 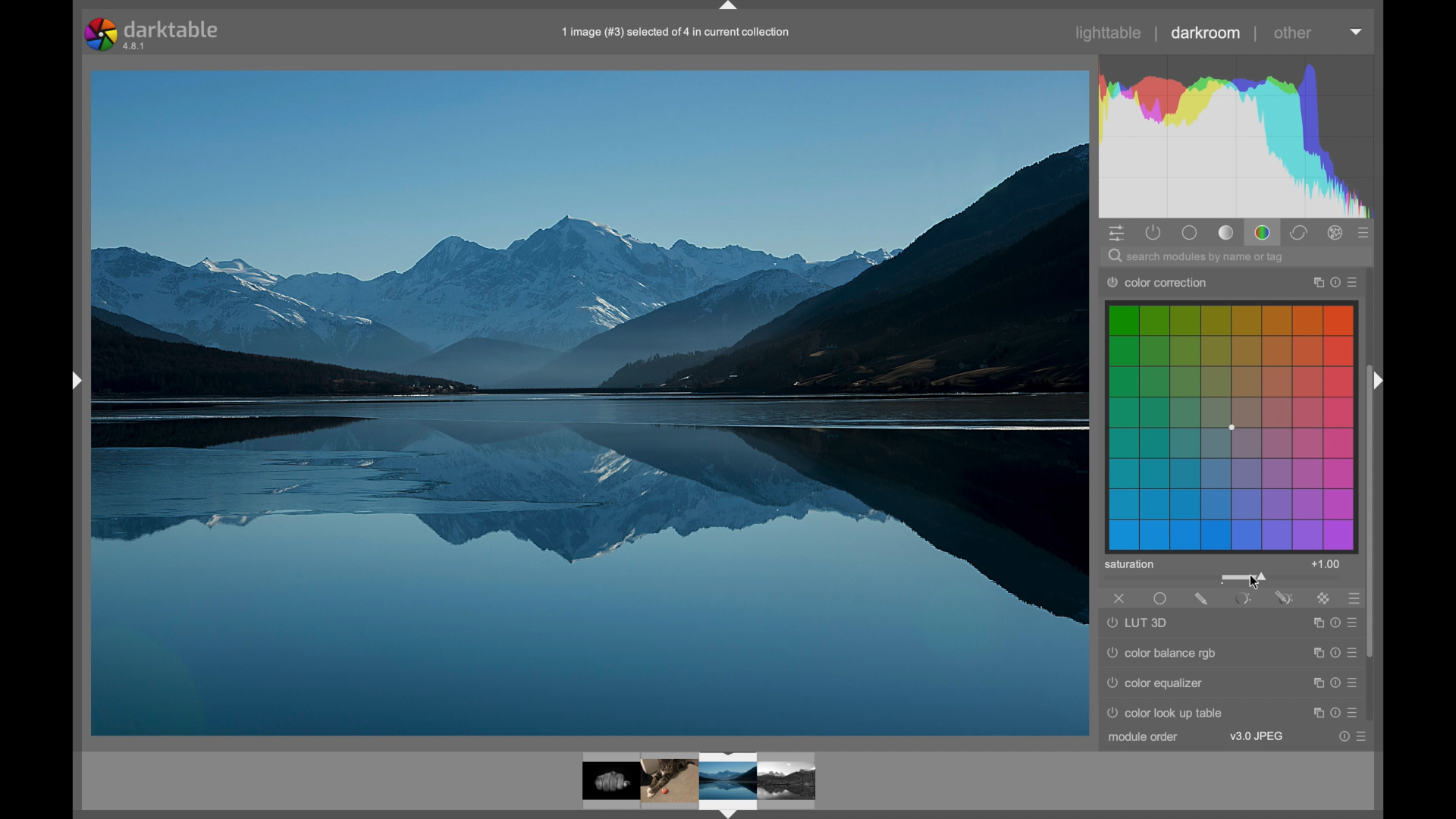 What do you see at coordinates (1254, 582) in the screenshot?
I see `cursor` at bounding box center [1254, 582].